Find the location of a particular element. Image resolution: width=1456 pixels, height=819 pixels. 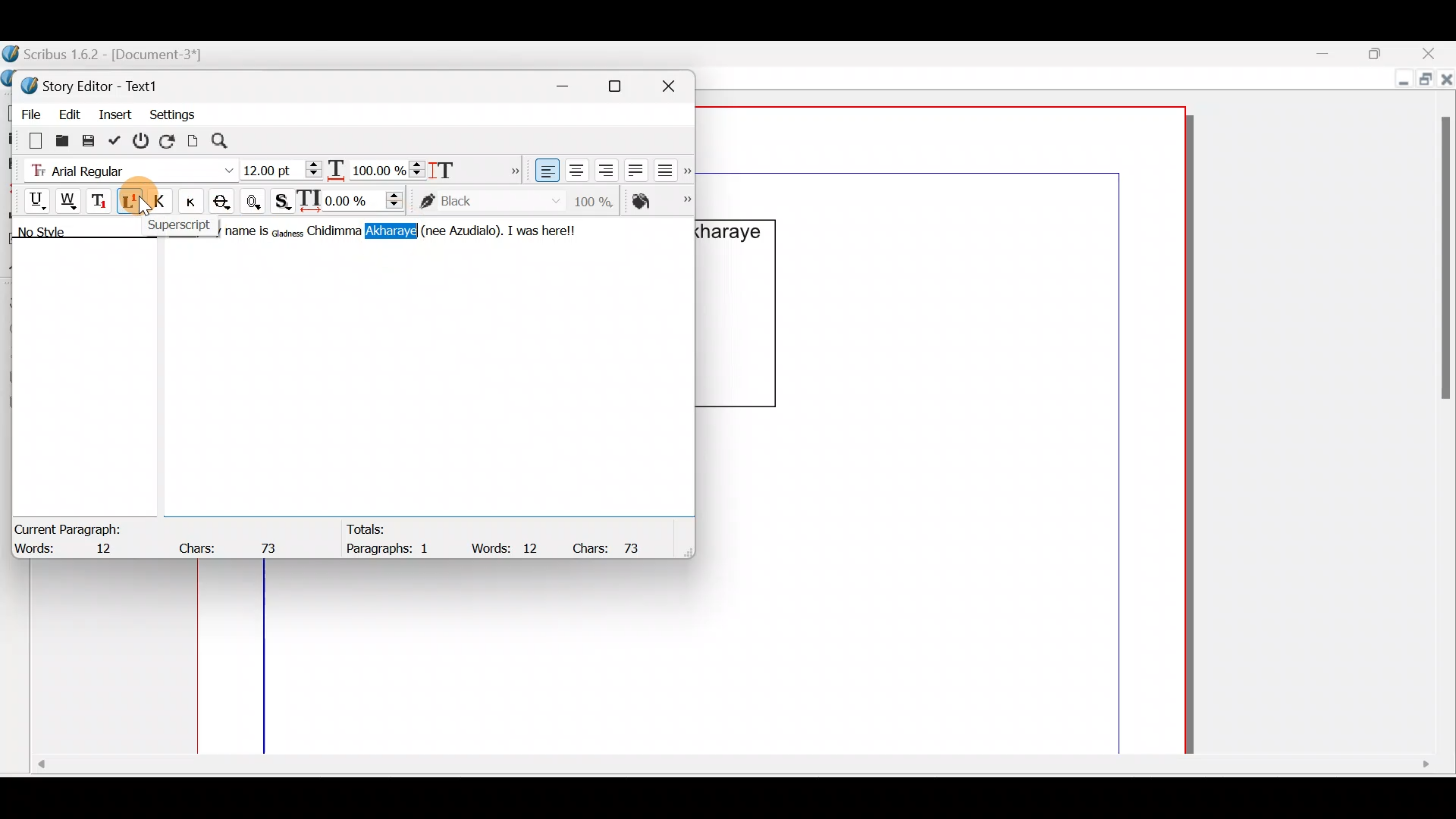

Chars: 73 is located at coordinates (232, 544).